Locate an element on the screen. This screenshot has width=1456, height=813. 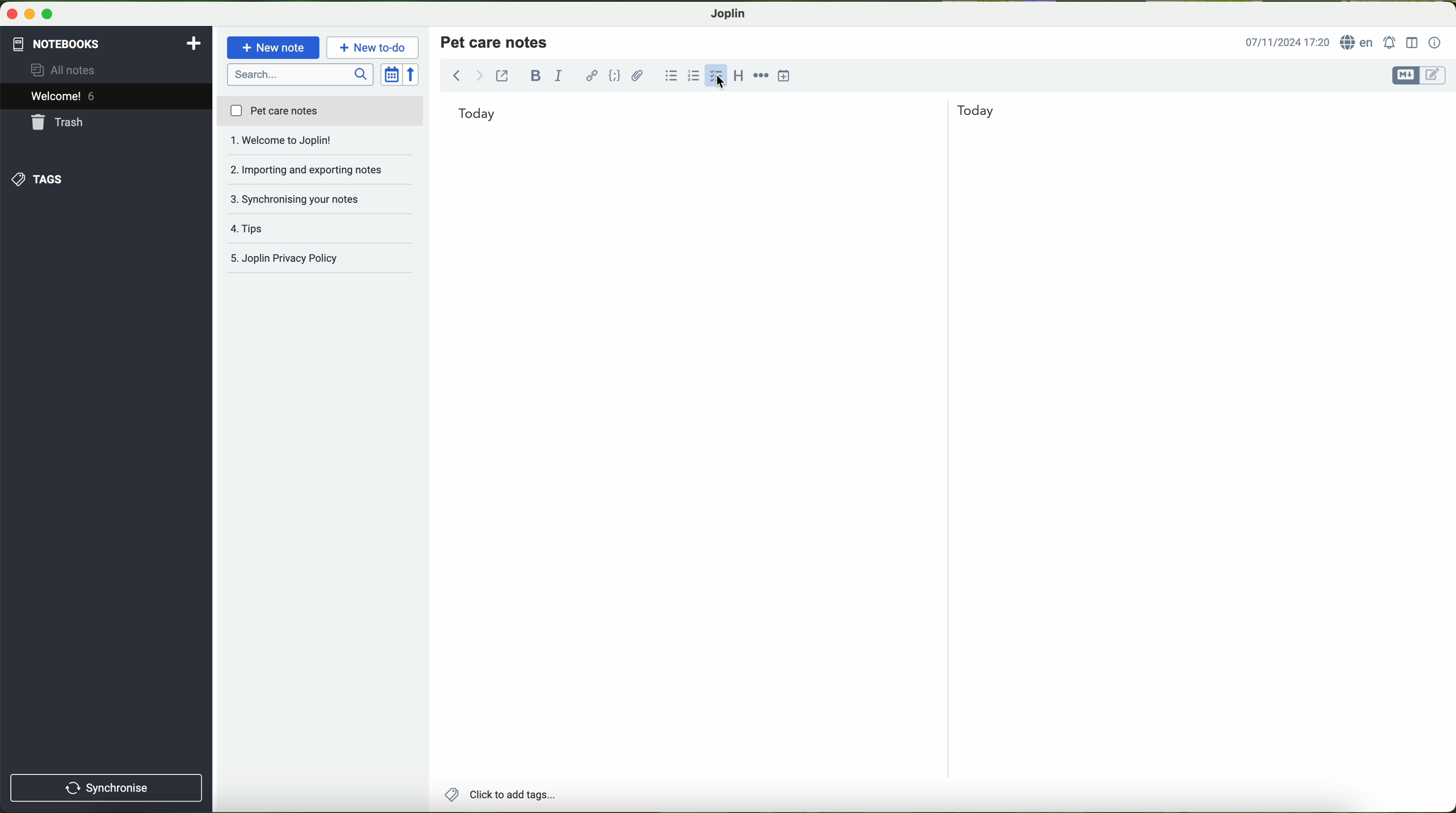
navigation arrows is located at coordinates (466, 75).